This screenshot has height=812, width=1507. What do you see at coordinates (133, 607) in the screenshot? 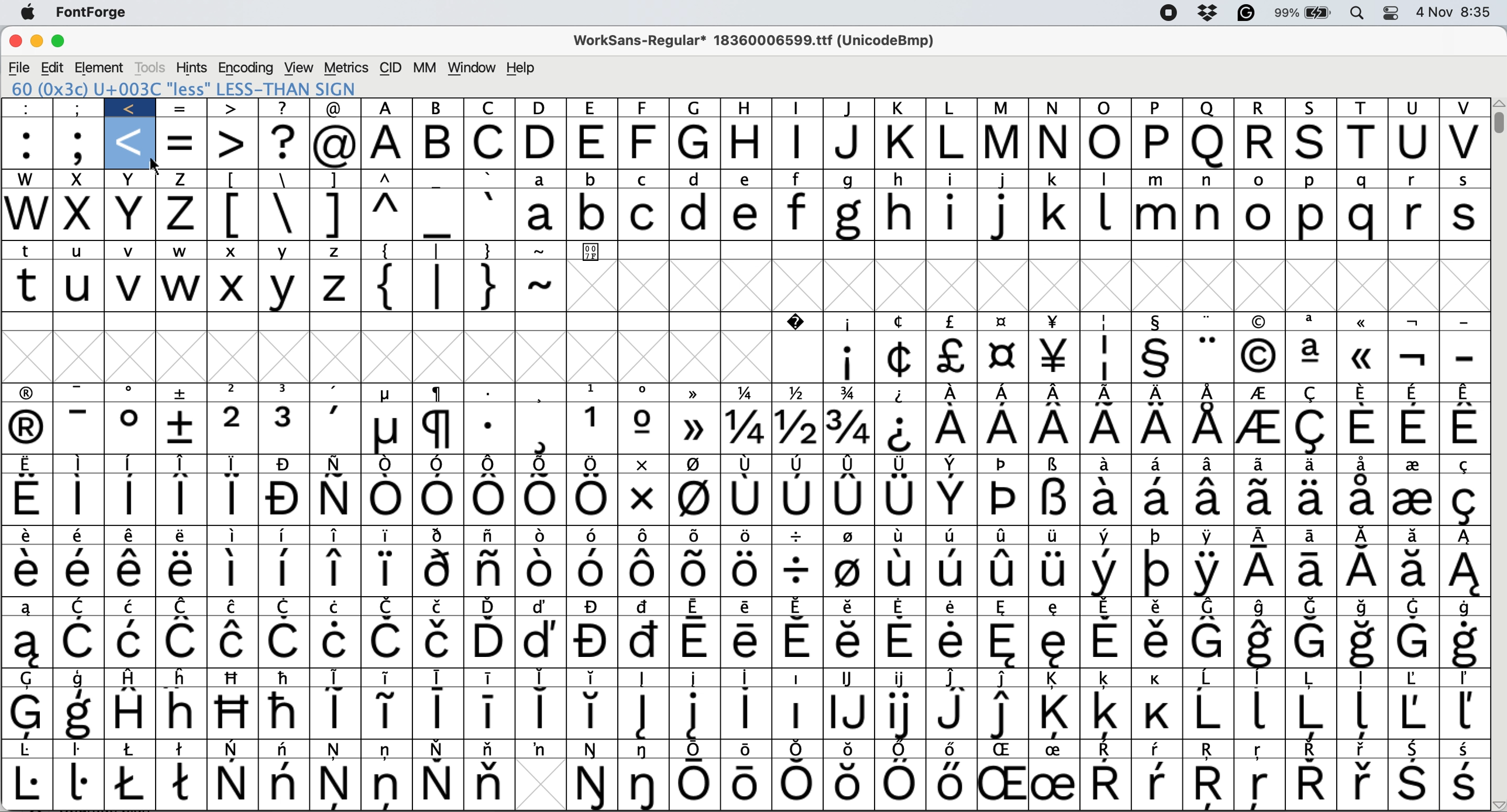
I see `Symbol` at bounding box center [133, 607].